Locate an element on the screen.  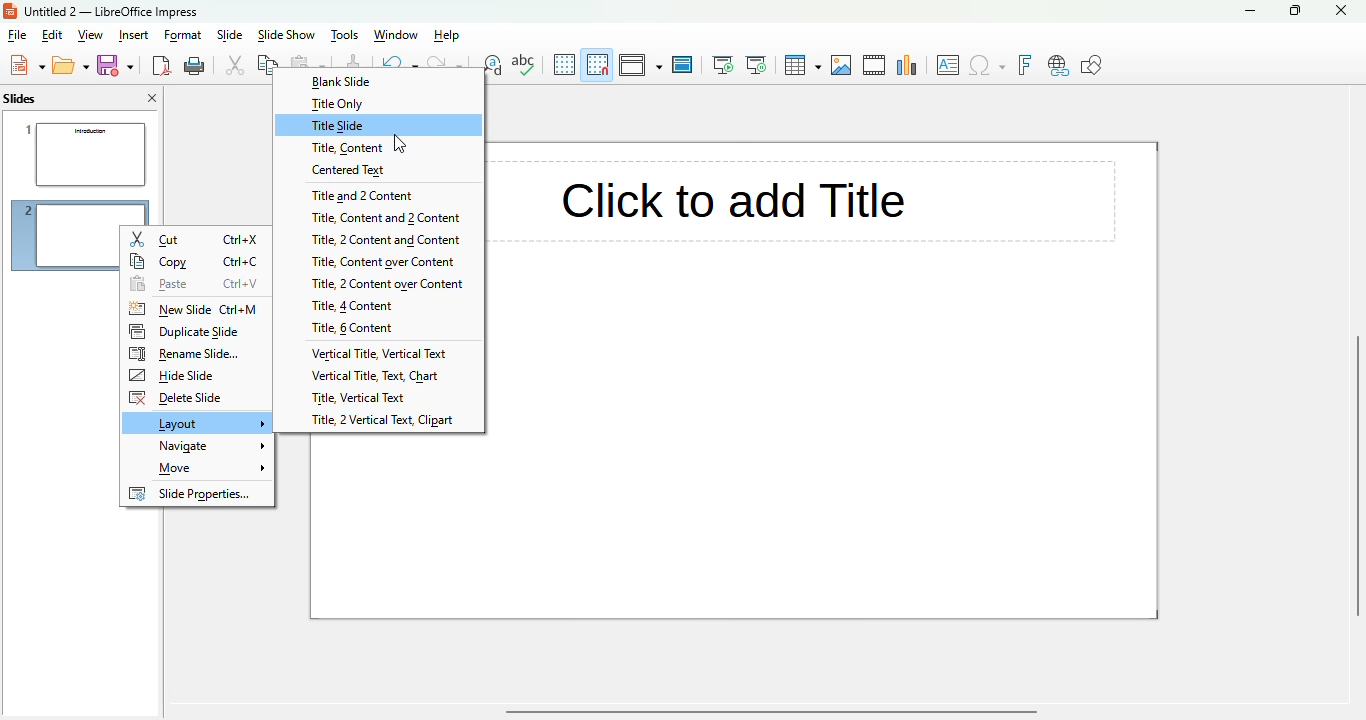
click to add title is located at coordinates (807, 201).